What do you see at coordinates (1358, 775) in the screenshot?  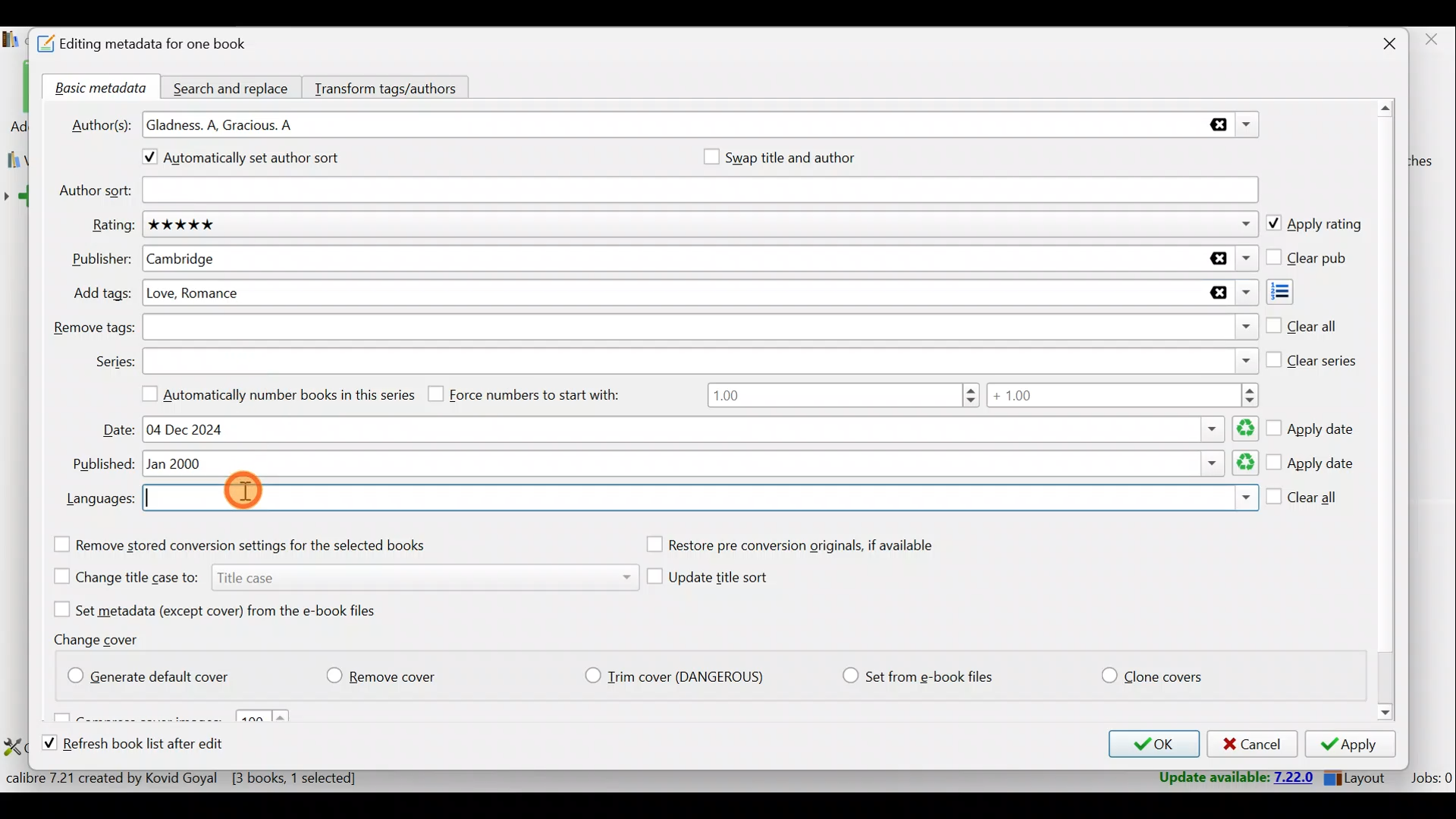 I see `Layout` at bounding box center [1358, 775].